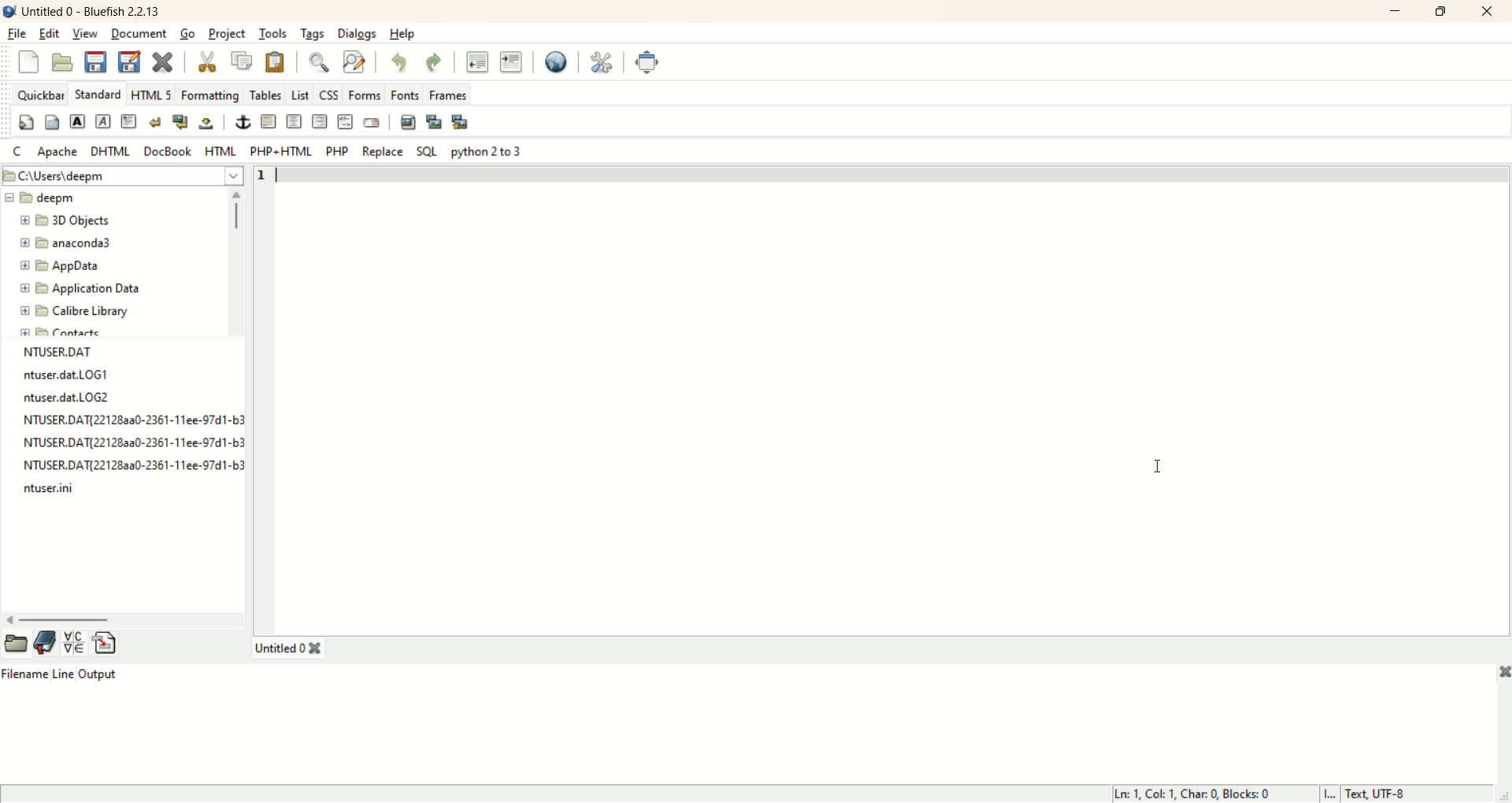  What do you see at coordinates (109, 151) in the screenshot?
I see `DHTML` at bounding box center [109, 151].